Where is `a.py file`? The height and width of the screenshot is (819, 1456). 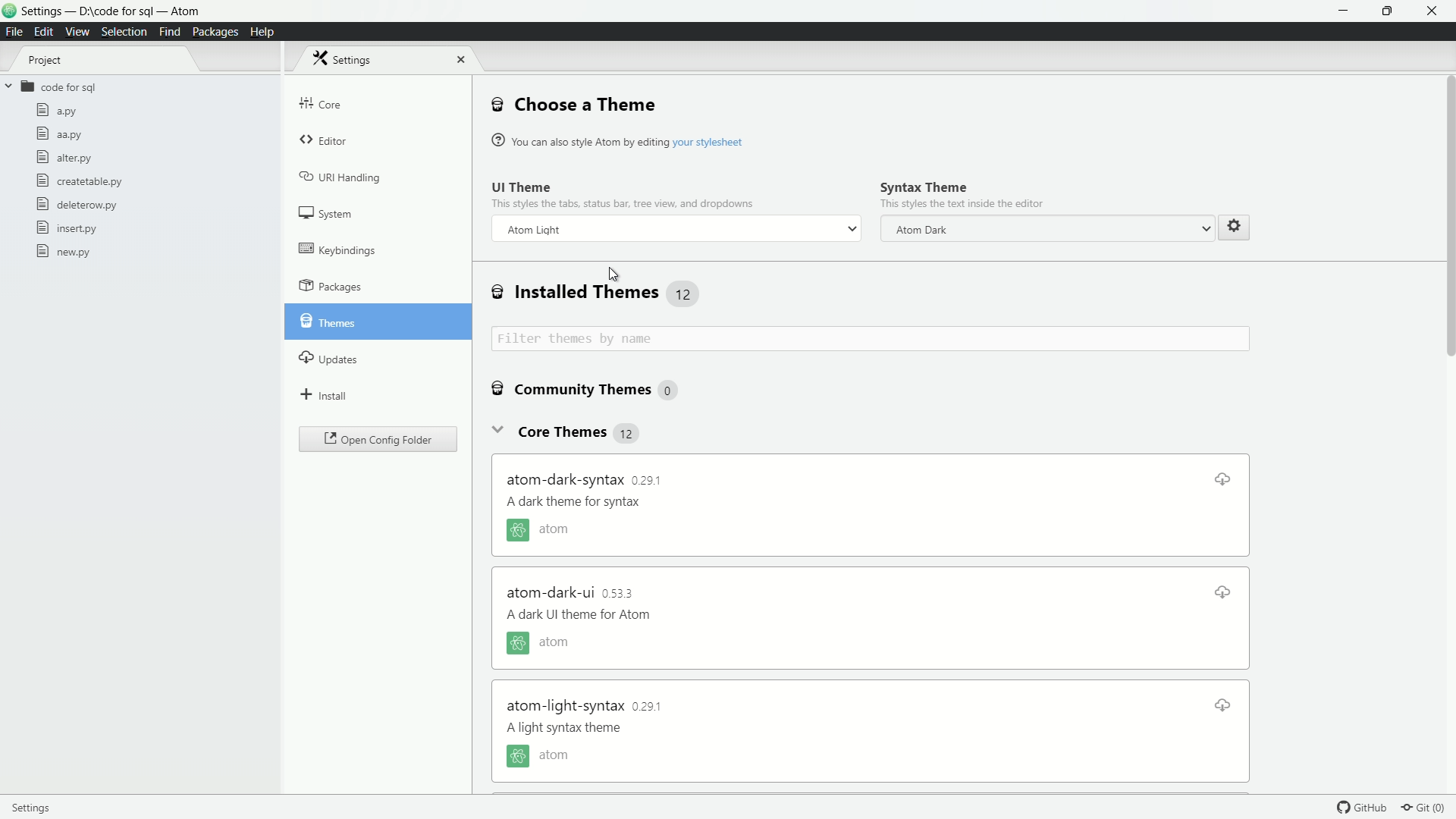
a.py file is located at coordinates (56, 111).